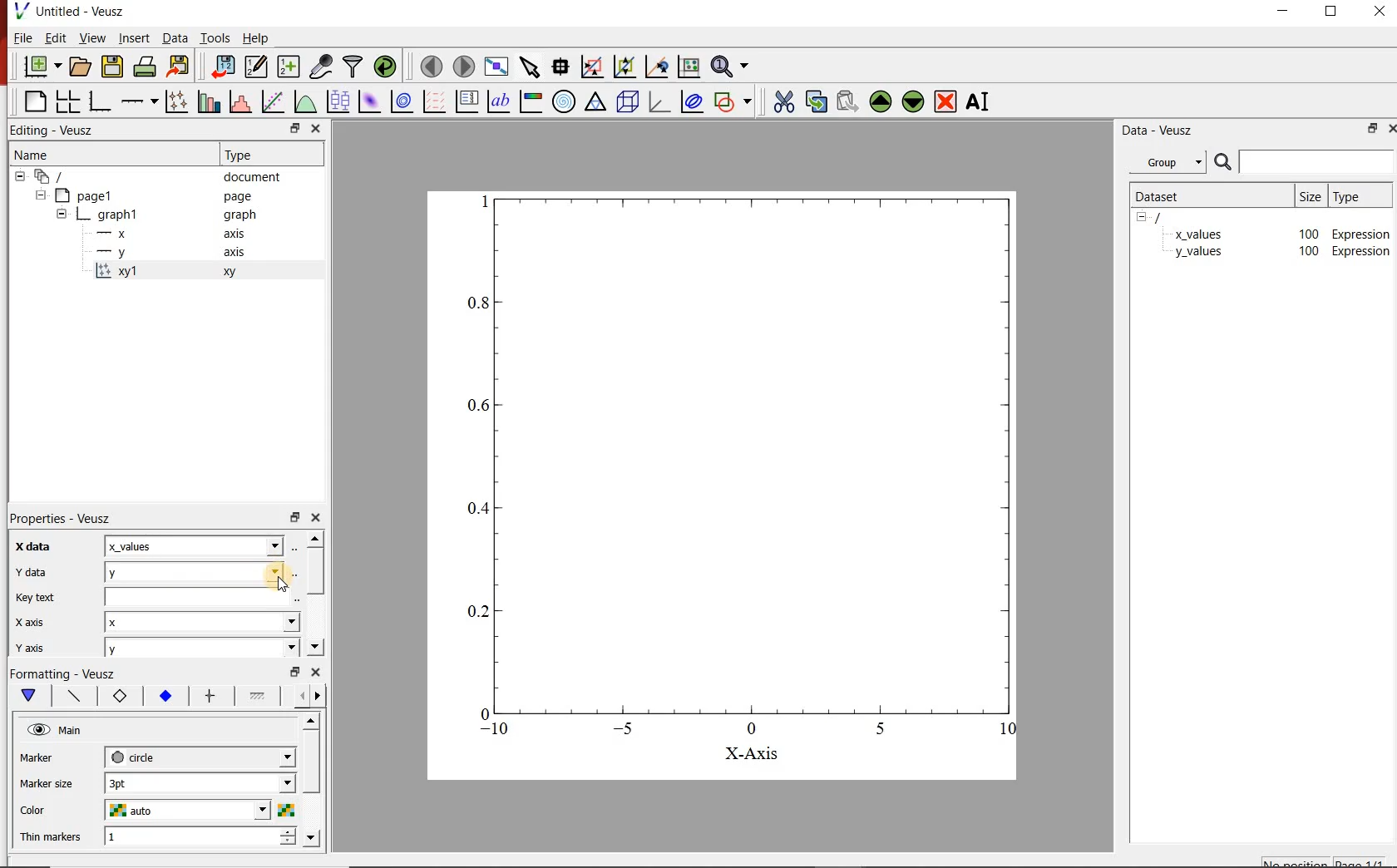 The height and width of the screenshot is (868, 1397). I want to click on restore down, so click(295, 671).